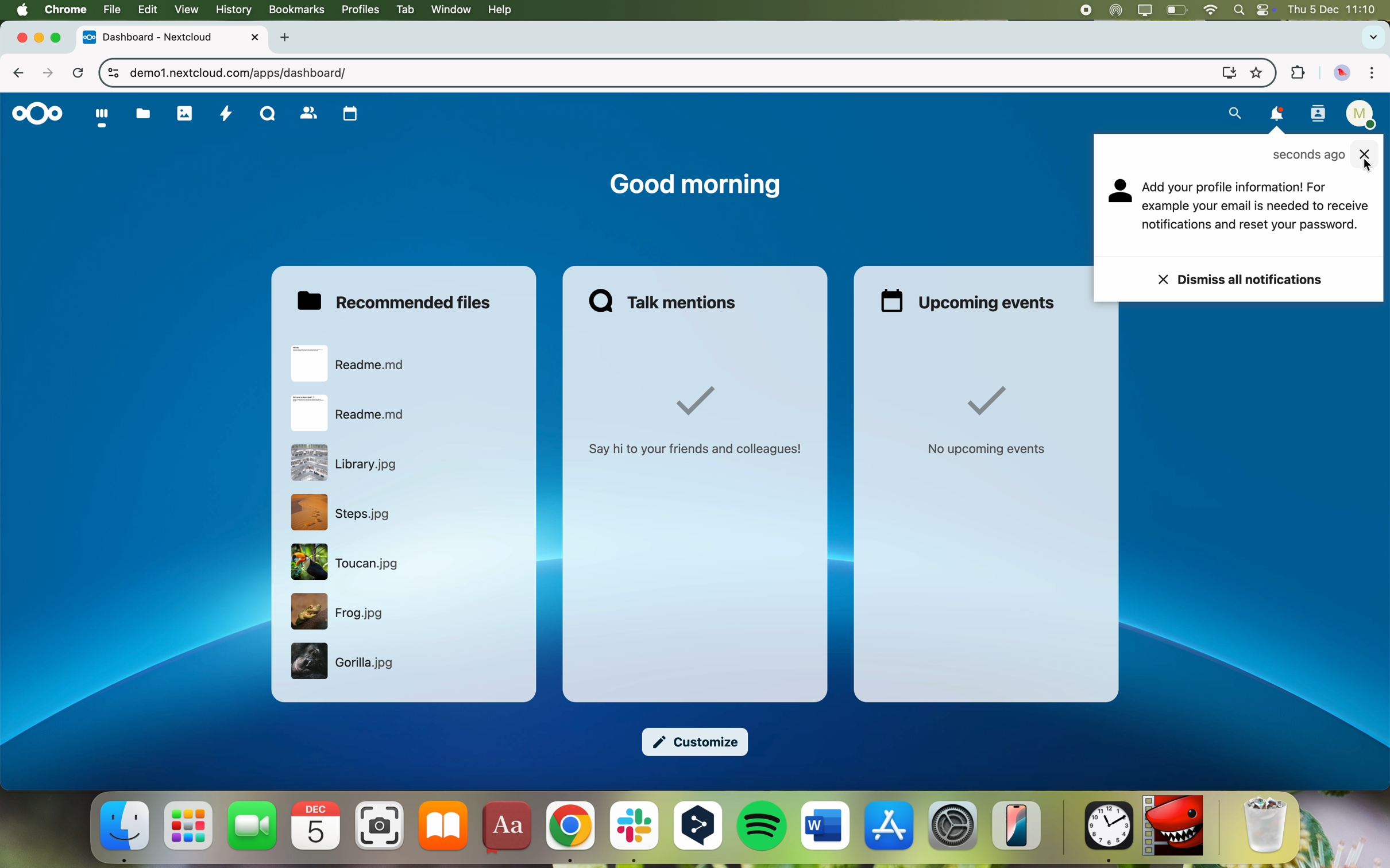 The width and height of the screenshot is (1390, 868). Describe the element at coordinates (1211, 9) in the screenshot. I see `wifi` at that location.